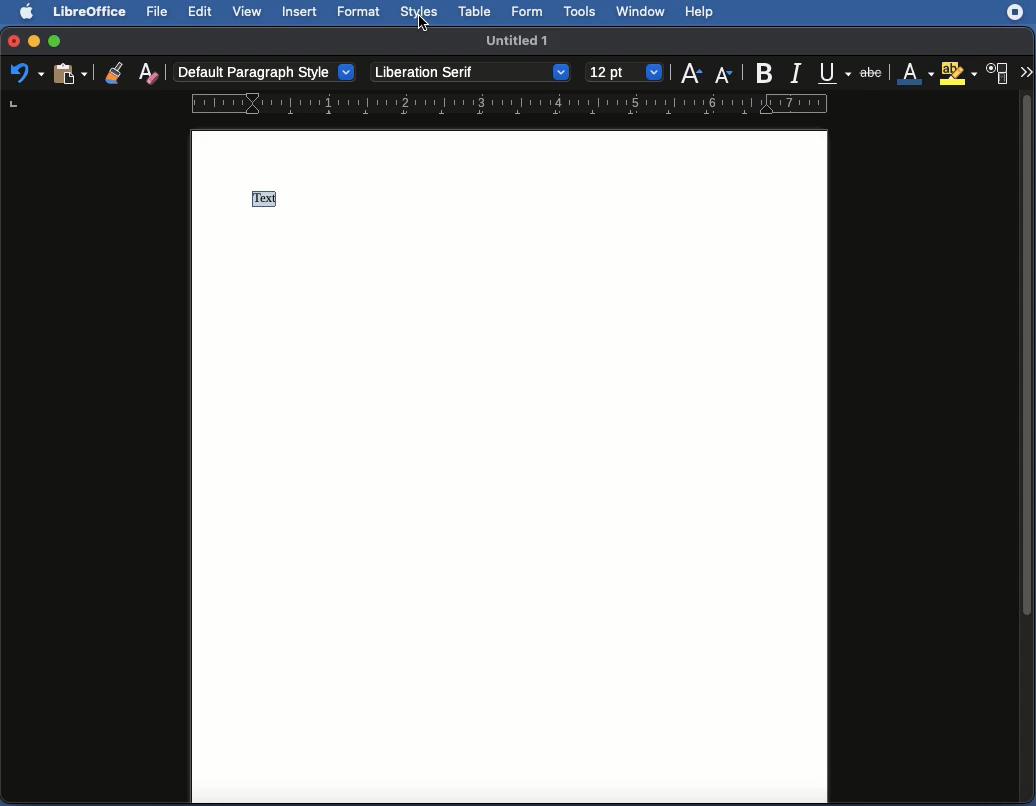 This screenshot has height=806, width=1036. I want to click on Close, so click(12, 41).